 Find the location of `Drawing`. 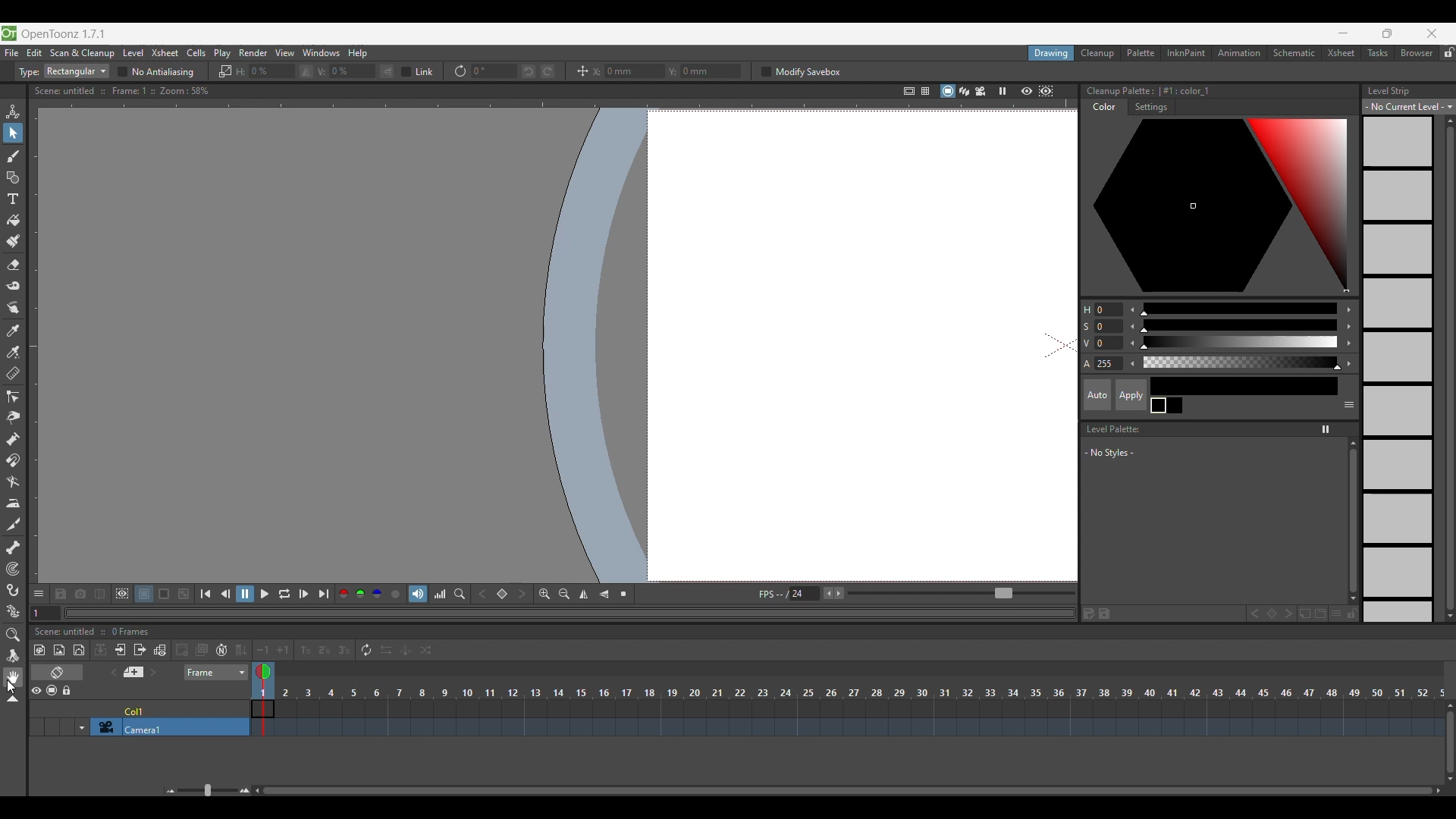

Drawing is located at coordinates (1051, 53).